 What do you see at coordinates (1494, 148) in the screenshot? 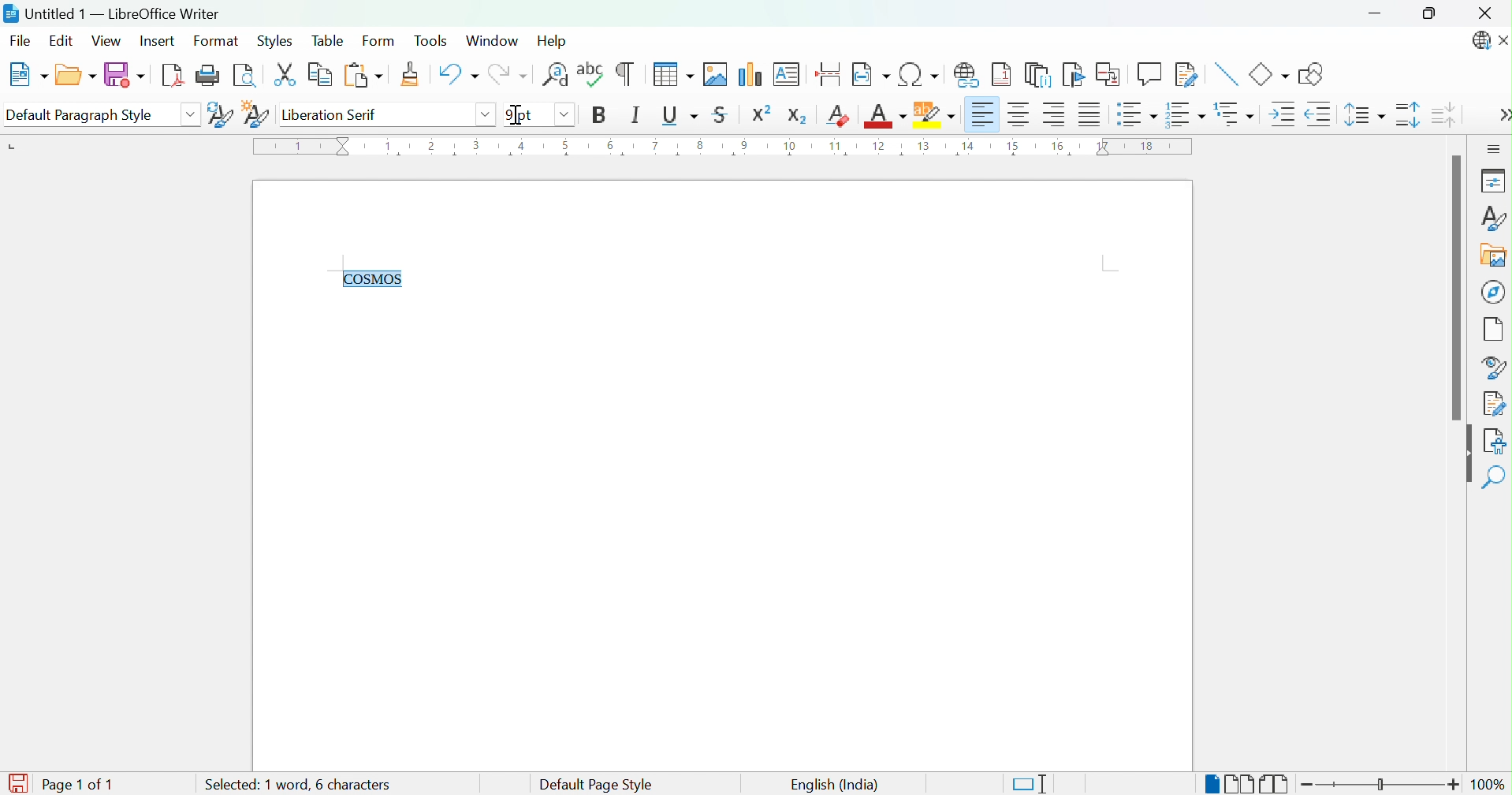
I see `Sidebar Settings` at bounding box center [1494, 148].